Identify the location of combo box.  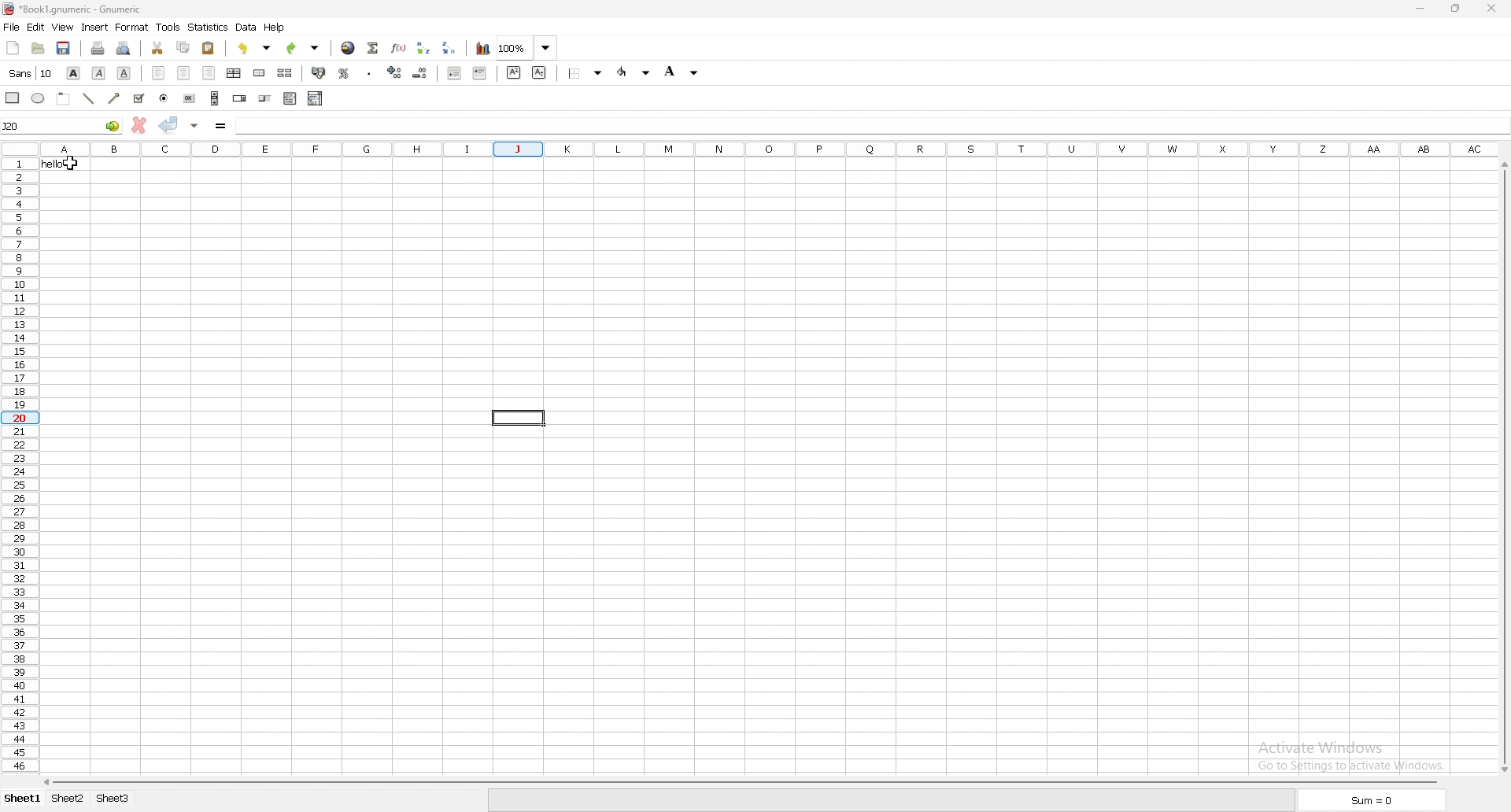
(315, 98).